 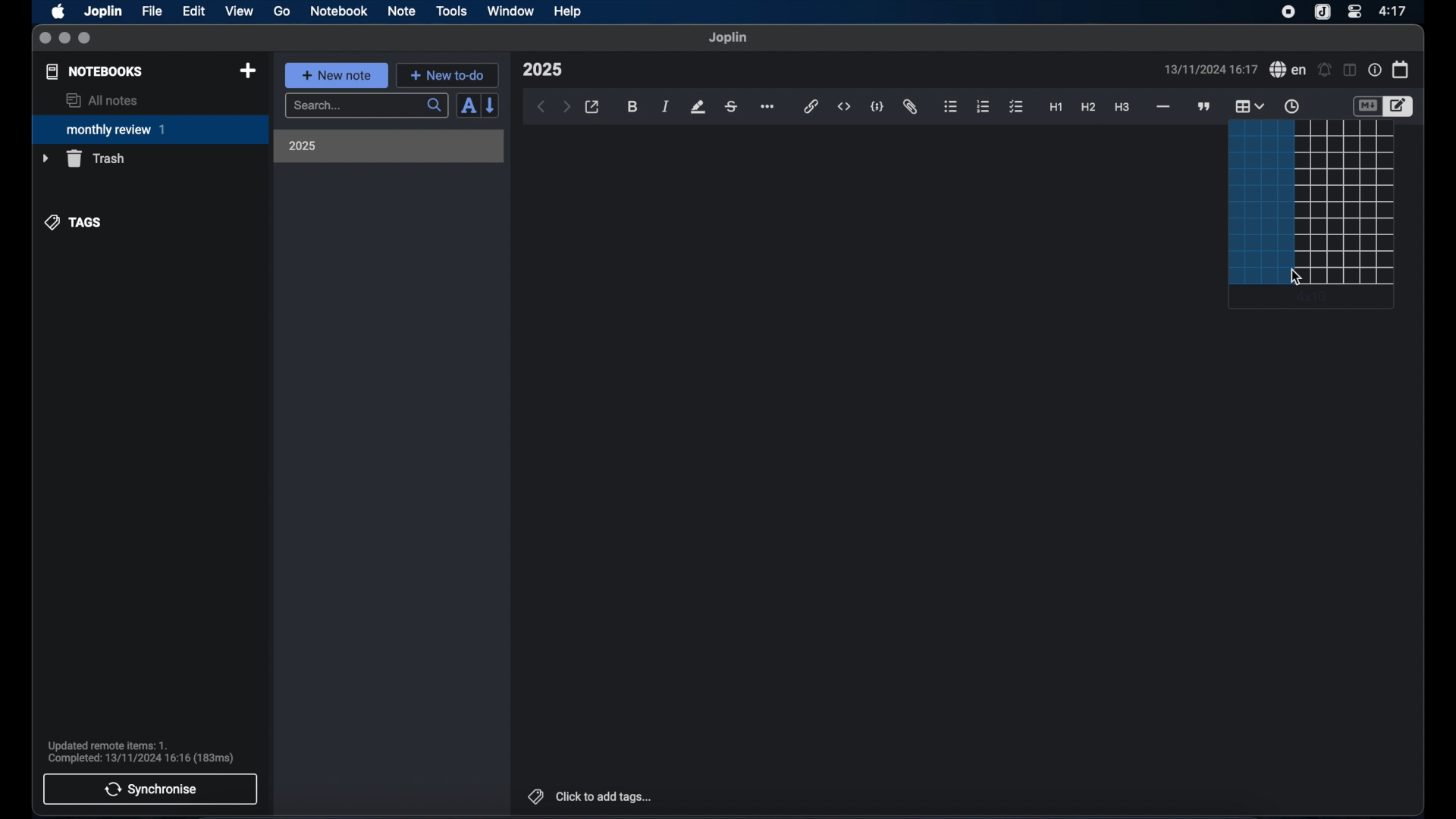 I want to click on apple icon, so click(x=57, y=11).